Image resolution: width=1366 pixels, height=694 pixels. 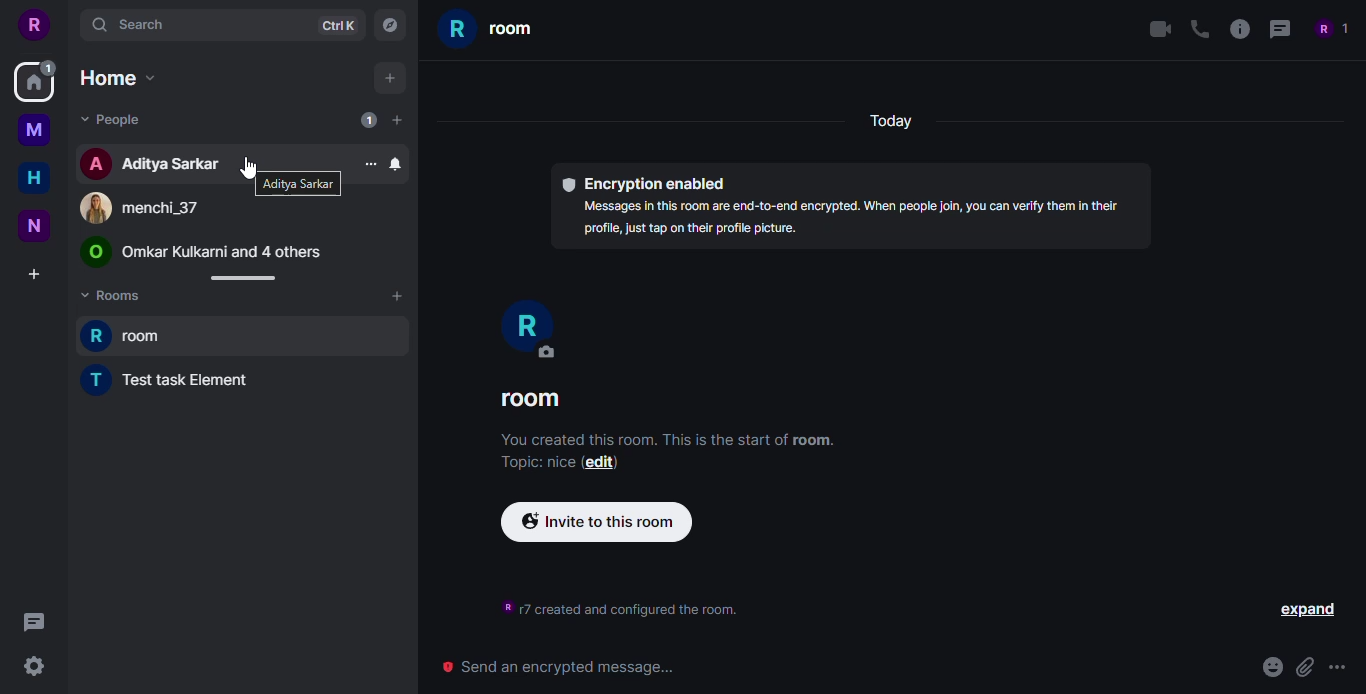 I want to click on cursor, so click(x=245, y=166).